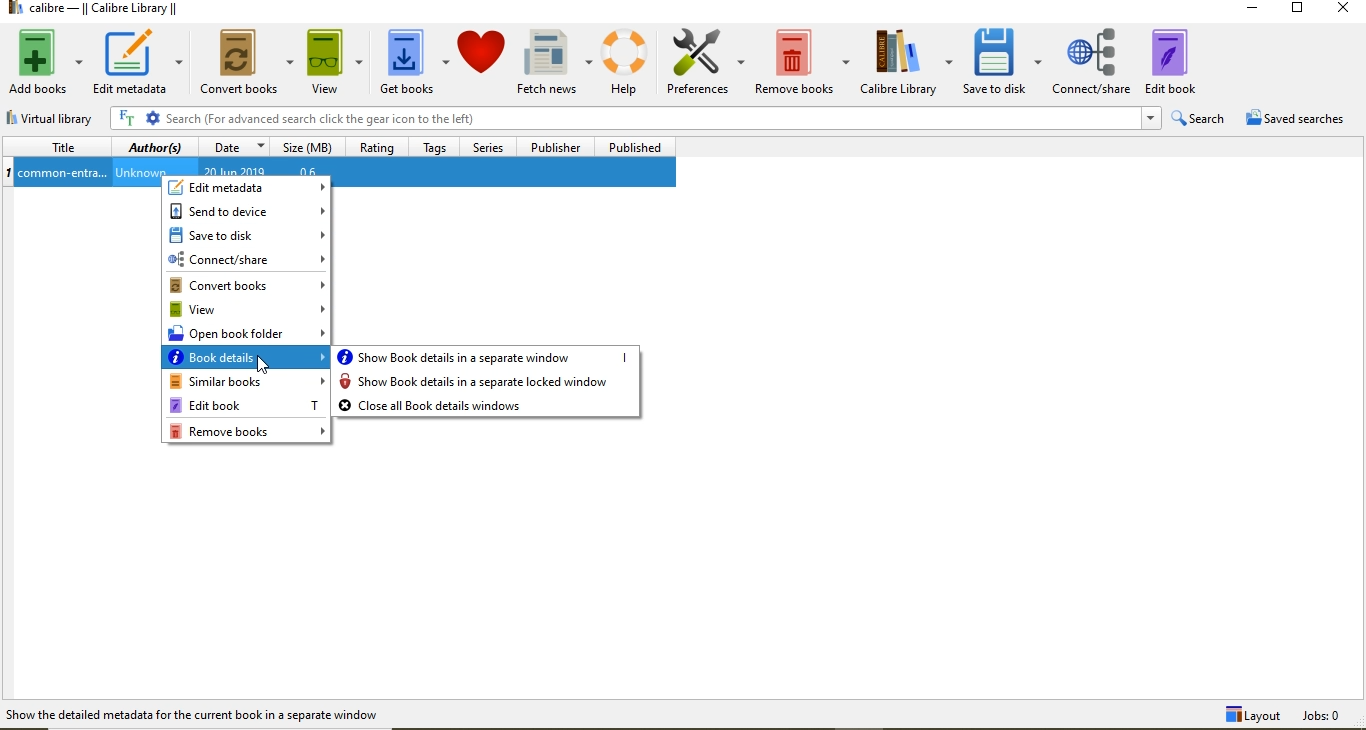 Image resolution: width=1366 pixels, height=730 pixels. What do you see at coordinates (629, 61) in the screenshot?
I see `help` at bounding box center [629, 61].